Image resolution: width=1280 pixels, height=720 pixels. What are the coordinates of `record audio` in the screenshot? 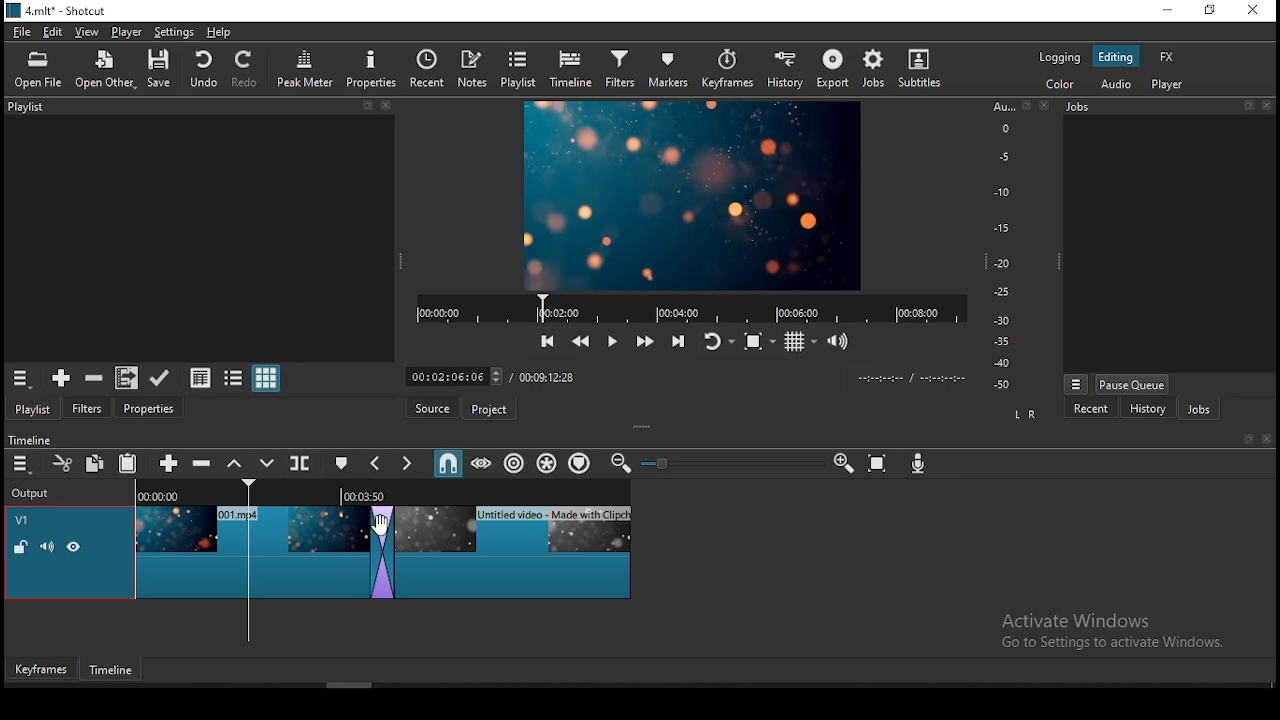 It's located at (918, 464).